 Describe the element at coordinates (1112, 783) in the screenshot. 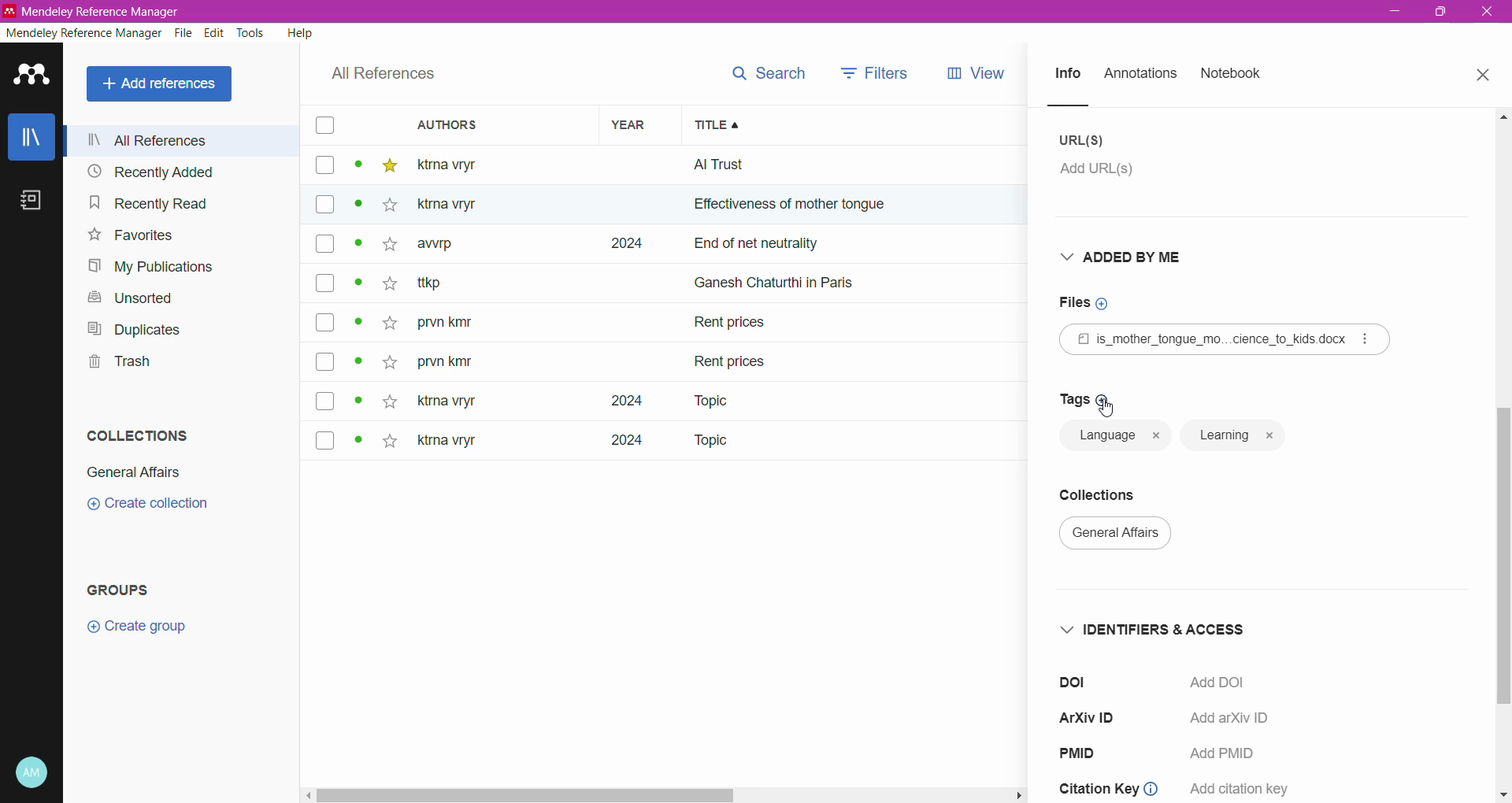

I see `Citation Key` at that location.